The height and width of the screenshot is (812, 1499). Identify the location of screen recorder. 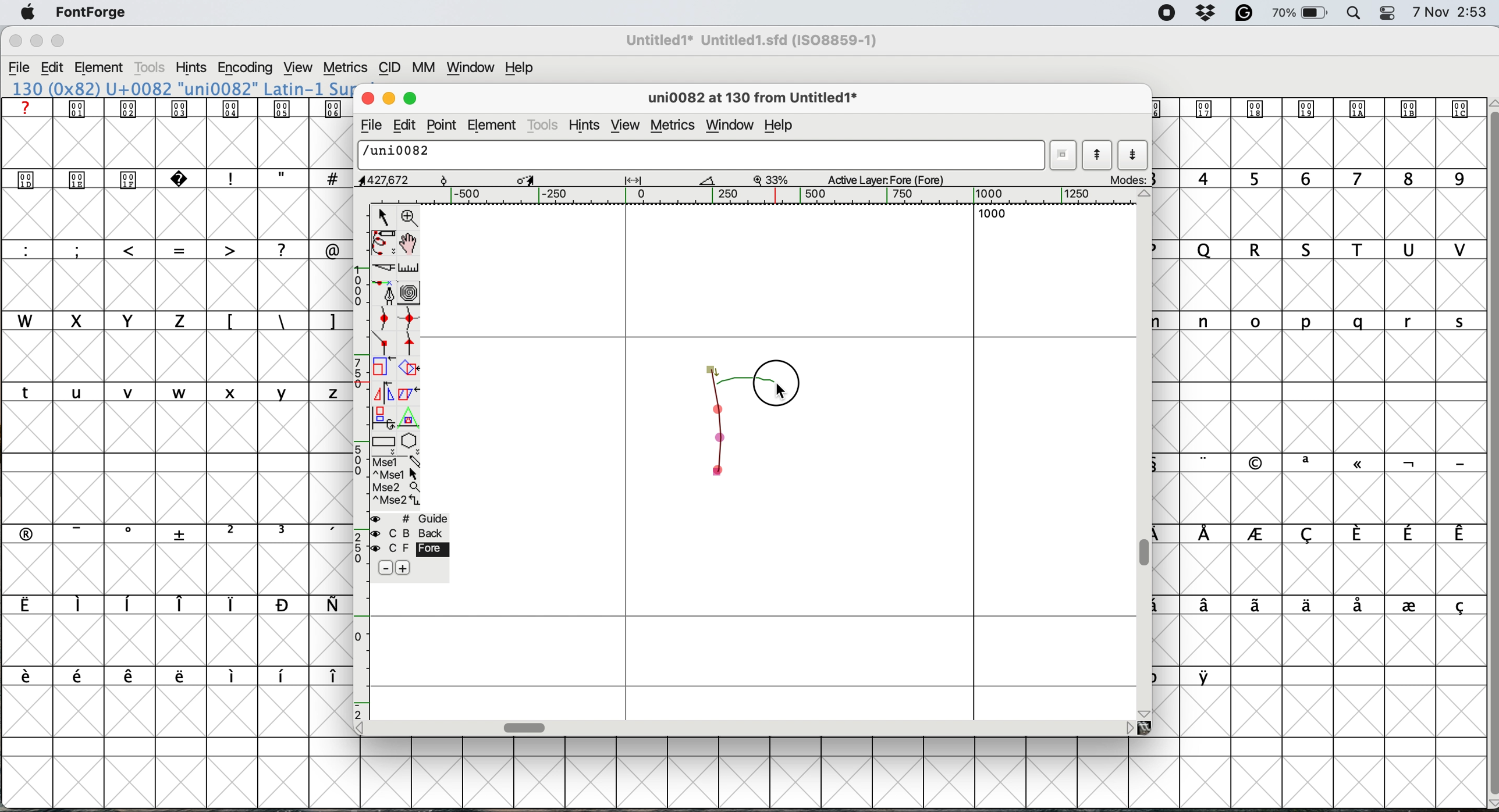
(1166, 15).